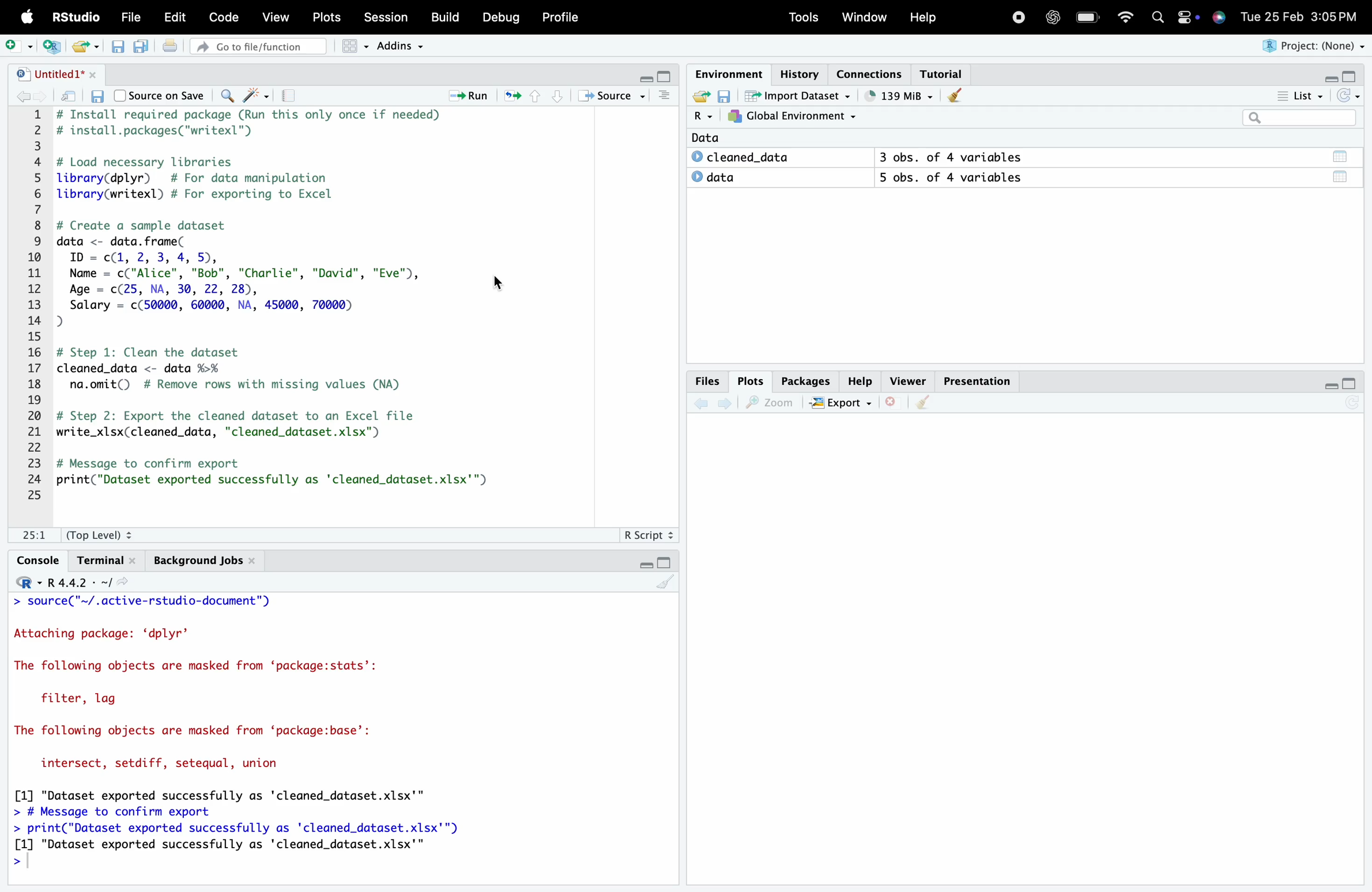 The width and height of the screenshot is (1372, 892). I want to click on Find/Replace, so click(226, 96).